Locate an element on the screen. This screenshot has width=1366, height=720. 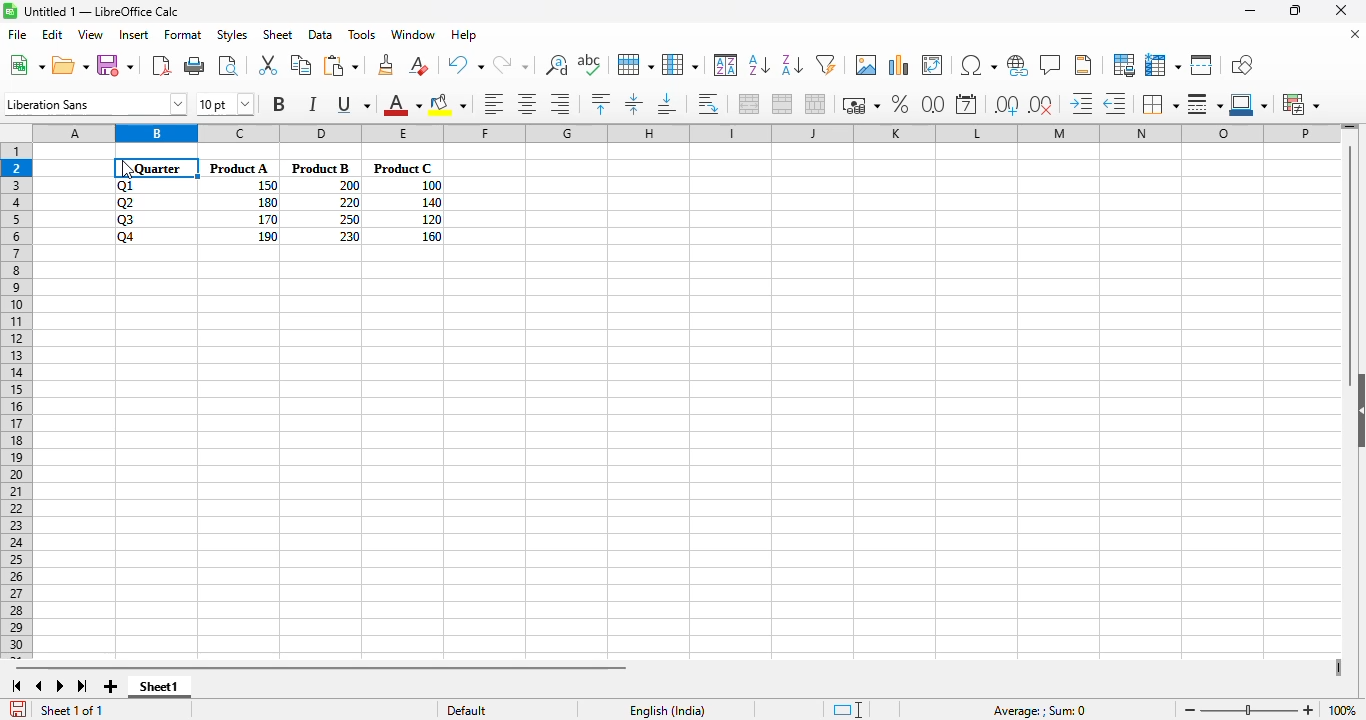
Q4 is located at coordinates (127, 237).